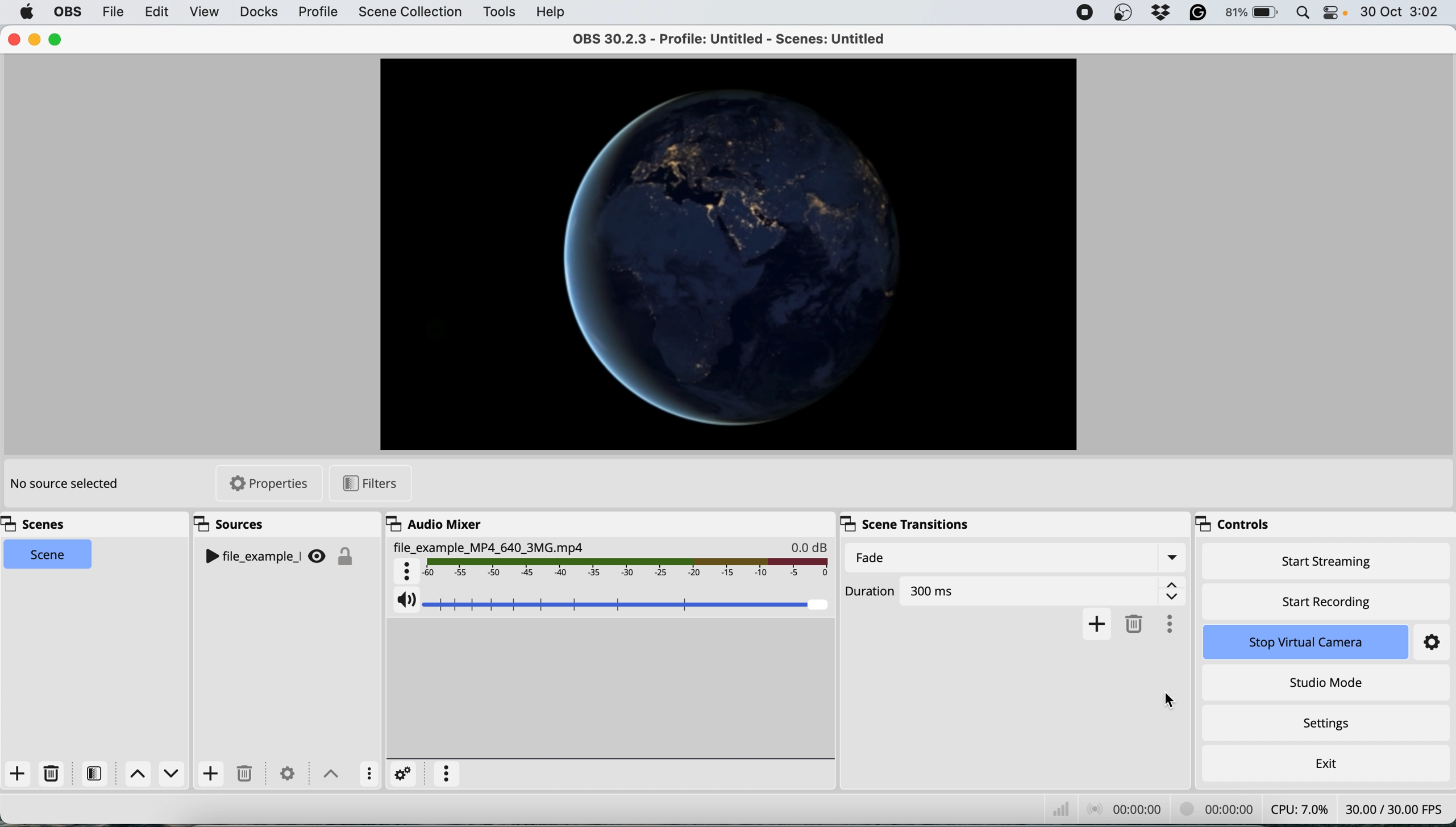 This screenshot has width=1456, height=827. Describe the element at coordinates (97, 774) in the screenshot. I see `filters` at that location.